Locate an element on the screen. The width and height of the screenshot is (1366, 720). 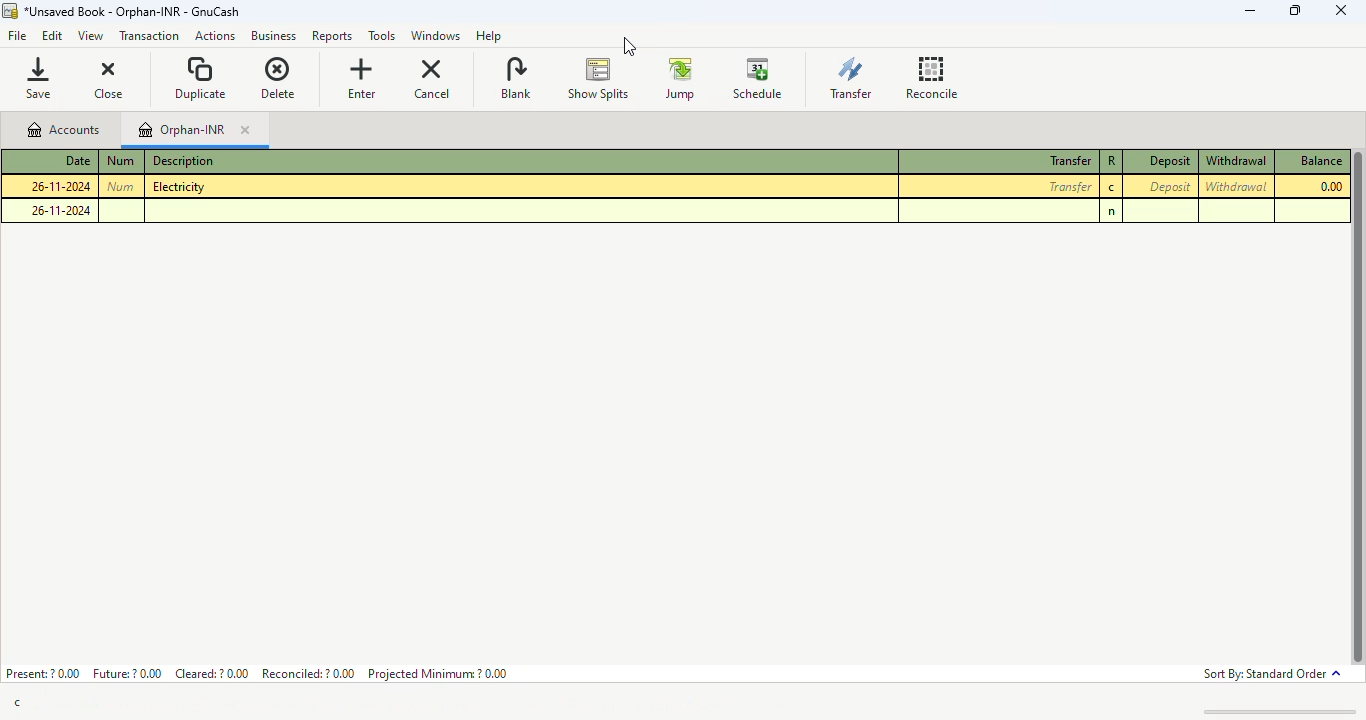
description is located at coordinates (183, 161).